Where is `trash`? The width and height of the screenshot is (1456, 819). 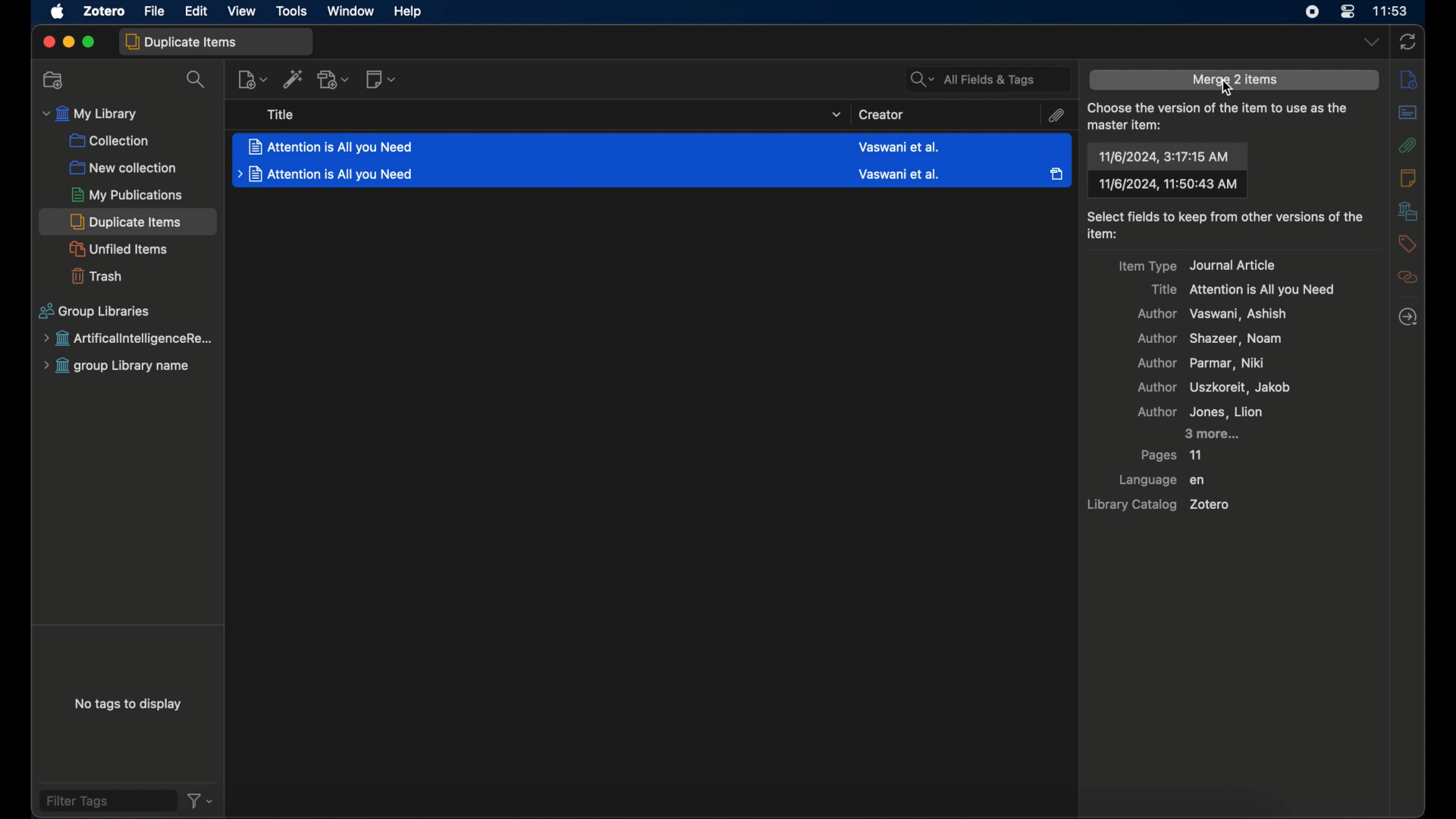 trash is located at coordinates (96, 276).